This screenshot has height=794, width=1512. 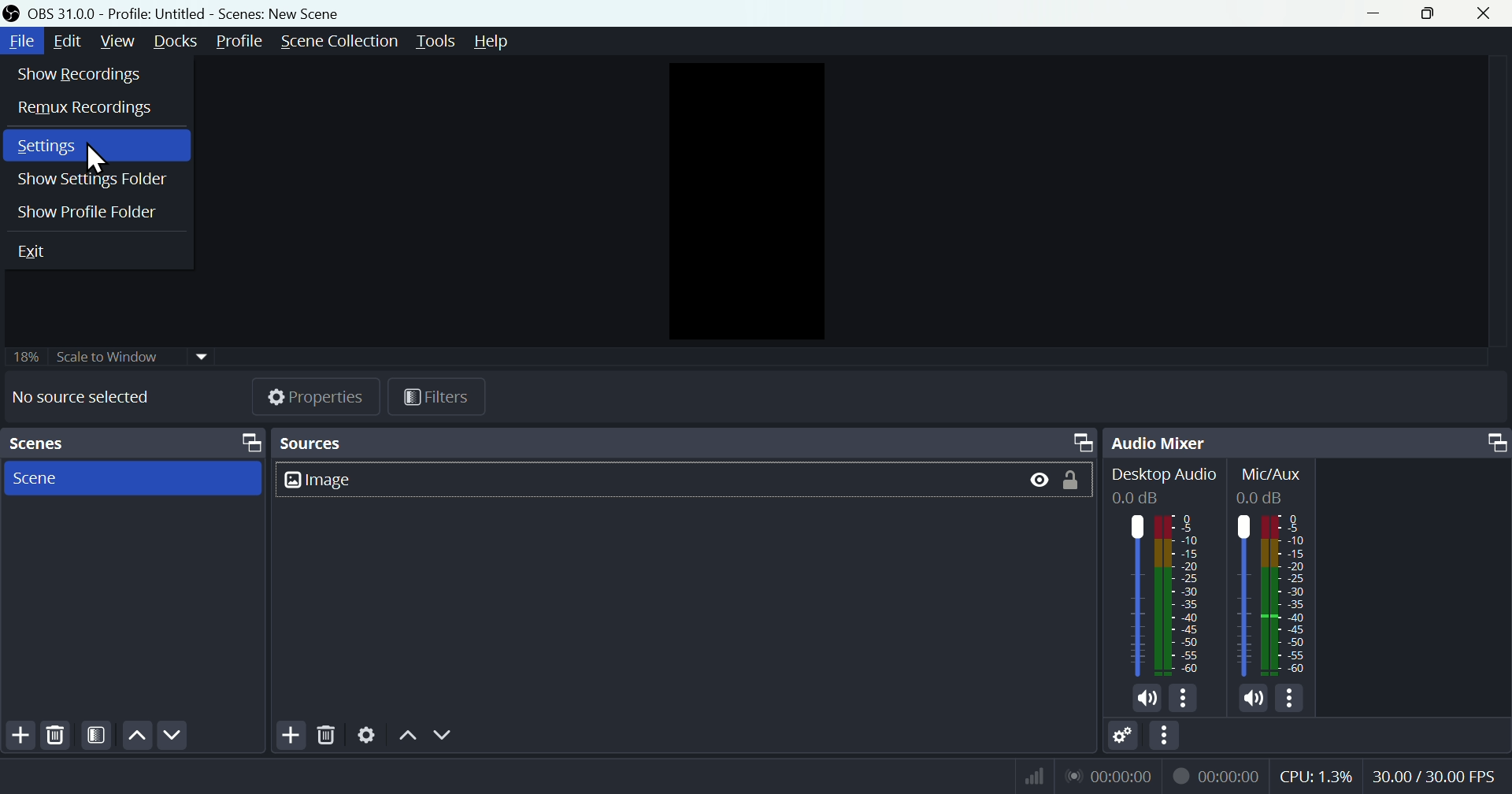 I want to click on close, so click(x=1488, y=13).